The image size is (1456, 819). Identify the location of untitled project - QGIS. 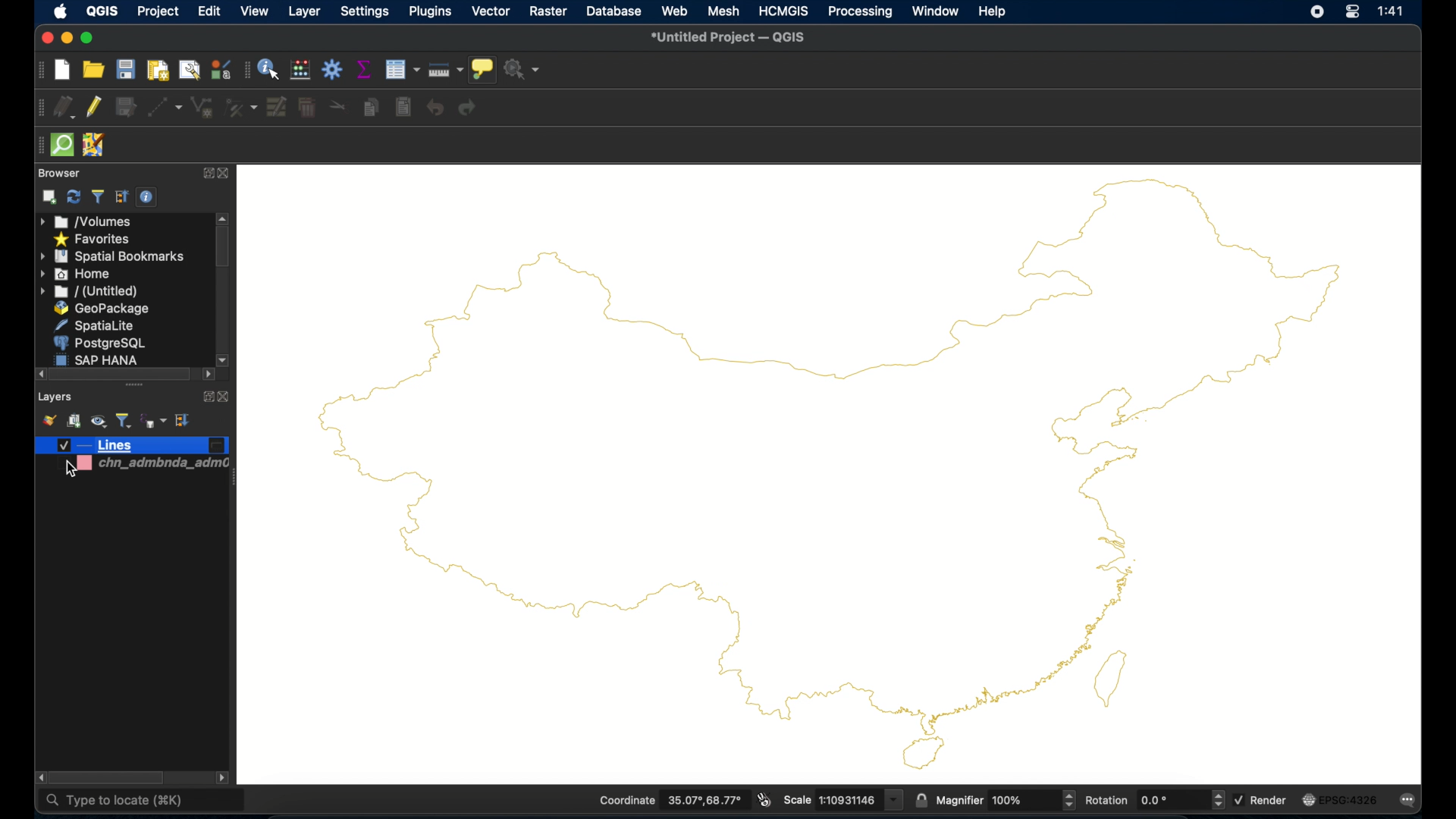
(729, 39).